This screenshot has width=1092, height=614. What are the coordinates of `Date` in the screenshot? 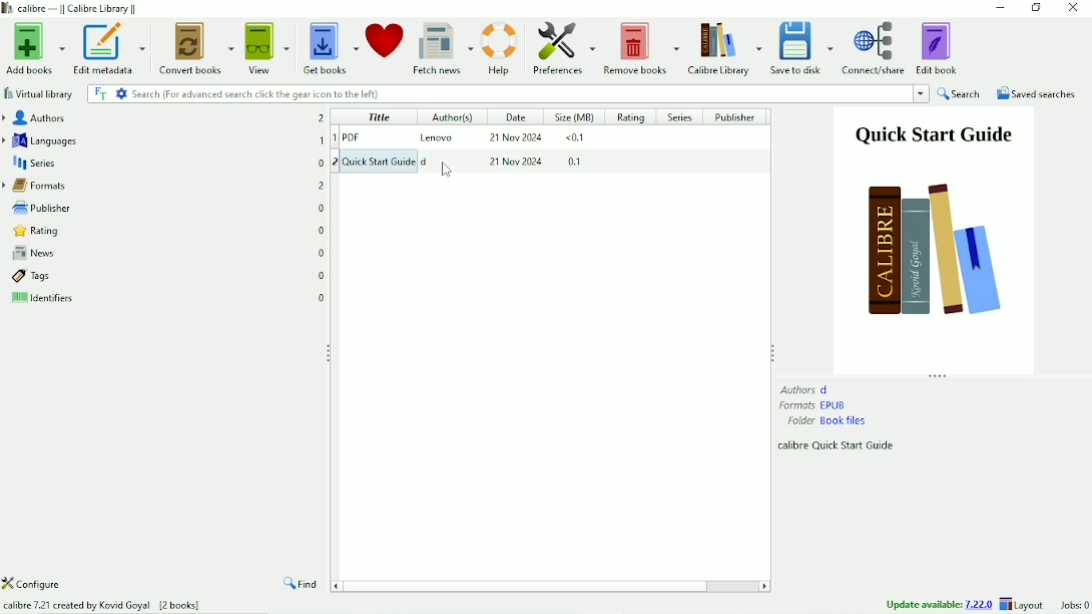 It's located at (514, 116).